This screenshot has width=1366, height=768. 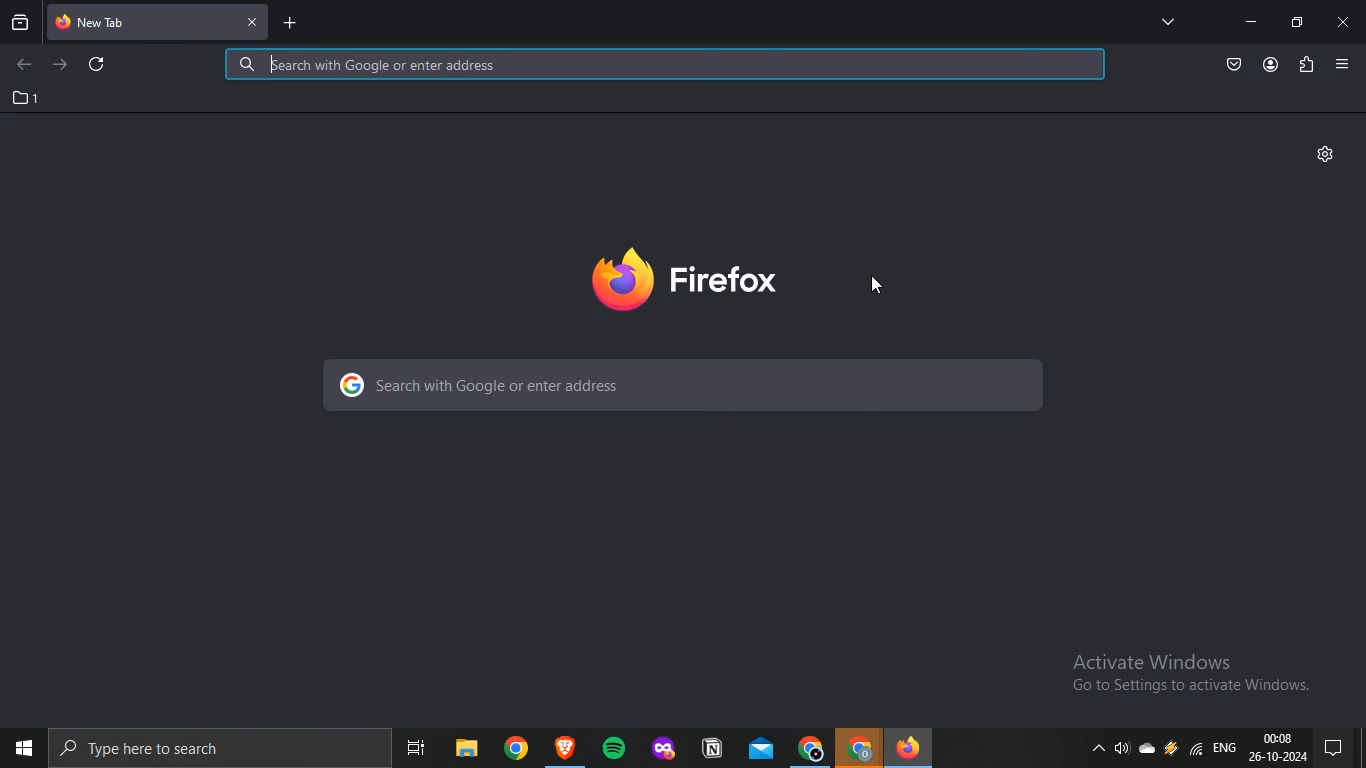 I want to click on sound, so click(x=1120, y=750).